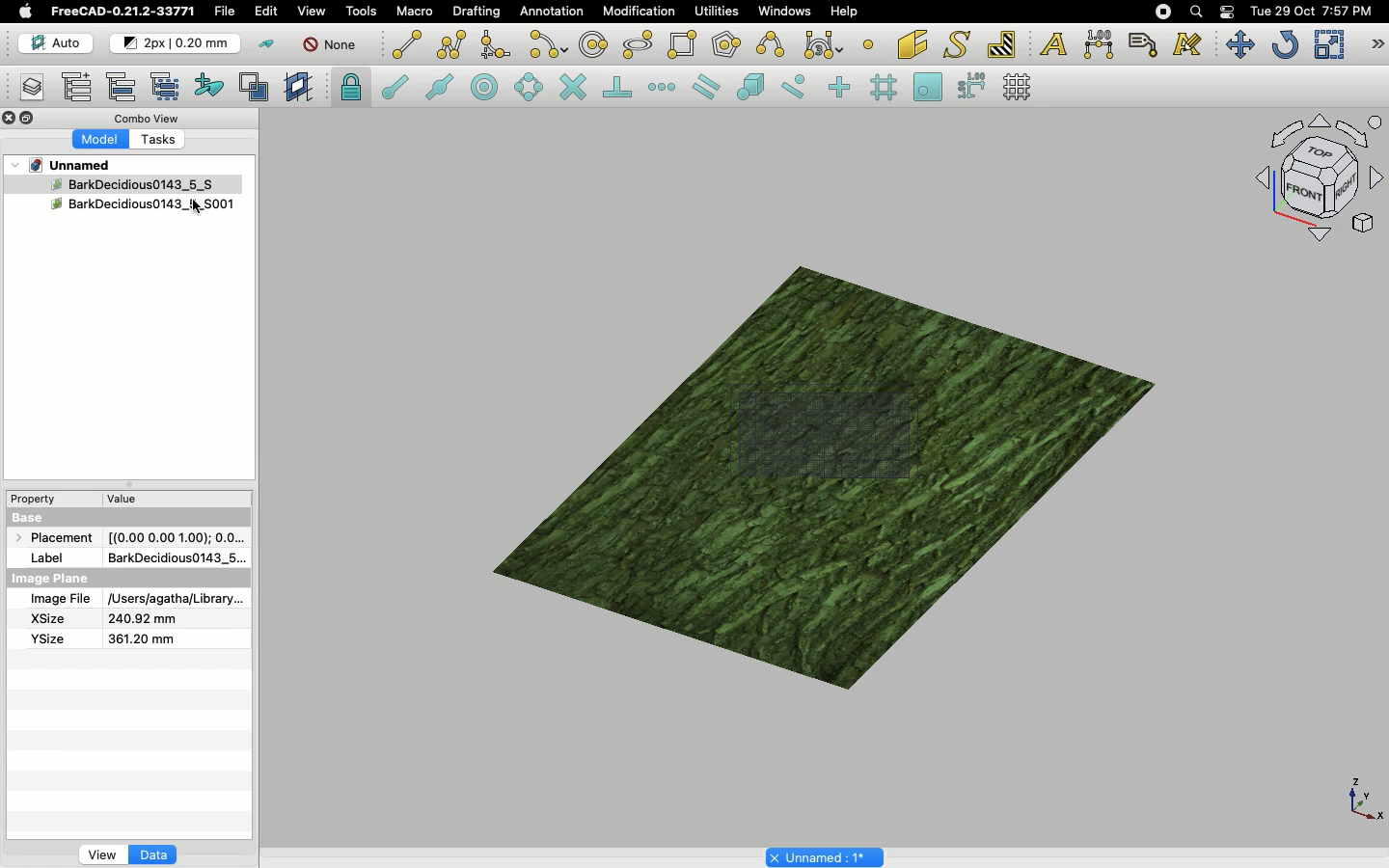 This screenshot has width=1389, height=868. What do you see at coordinates (774, 44) in the screenshot?
I see `B-spline` at bounding box center [774, 44].